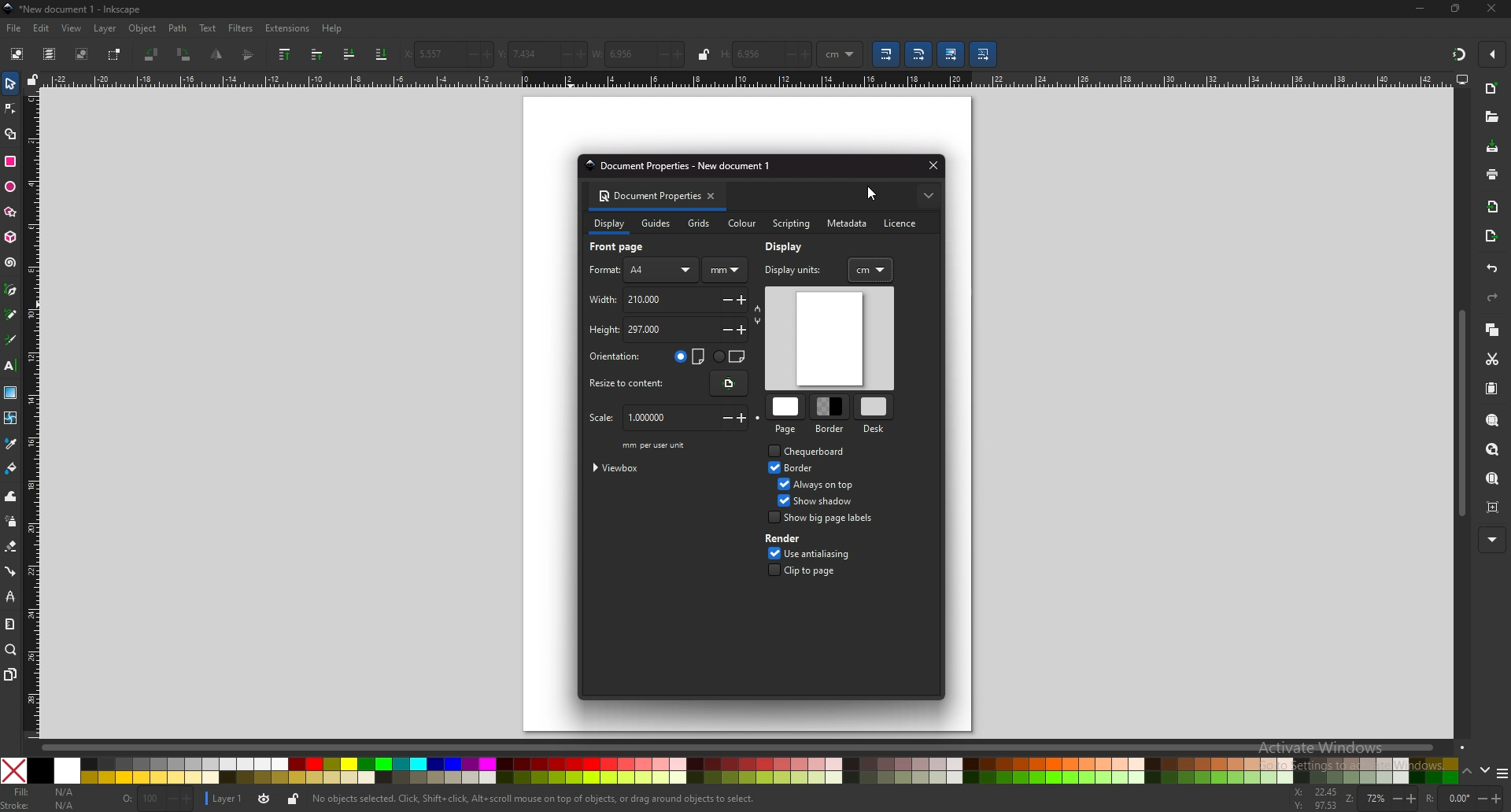  I want to click on layer 1, so click(224, 799).